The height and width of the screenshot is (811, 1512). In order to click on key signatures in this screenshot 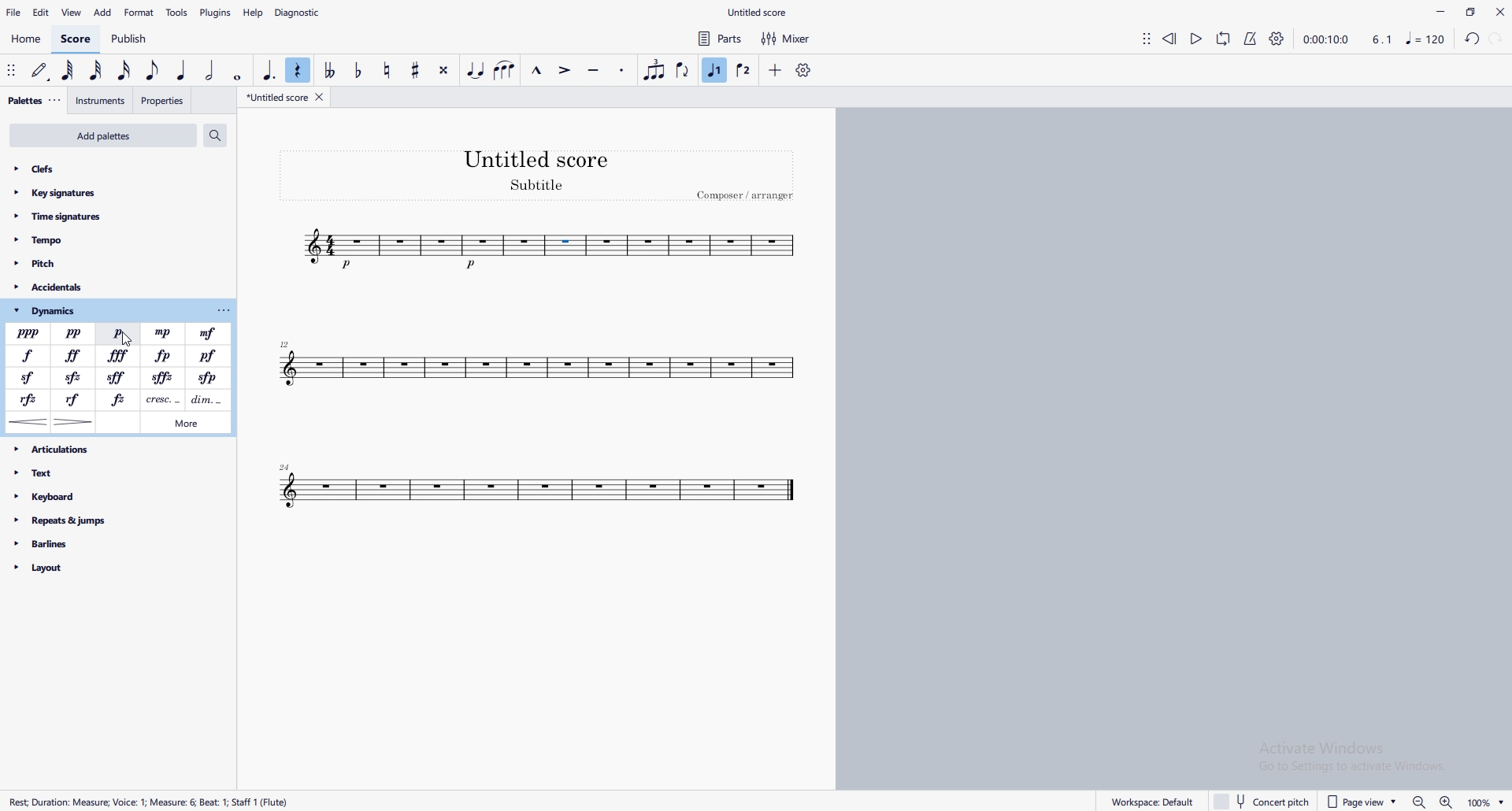, I will do `click(102, 192)`.